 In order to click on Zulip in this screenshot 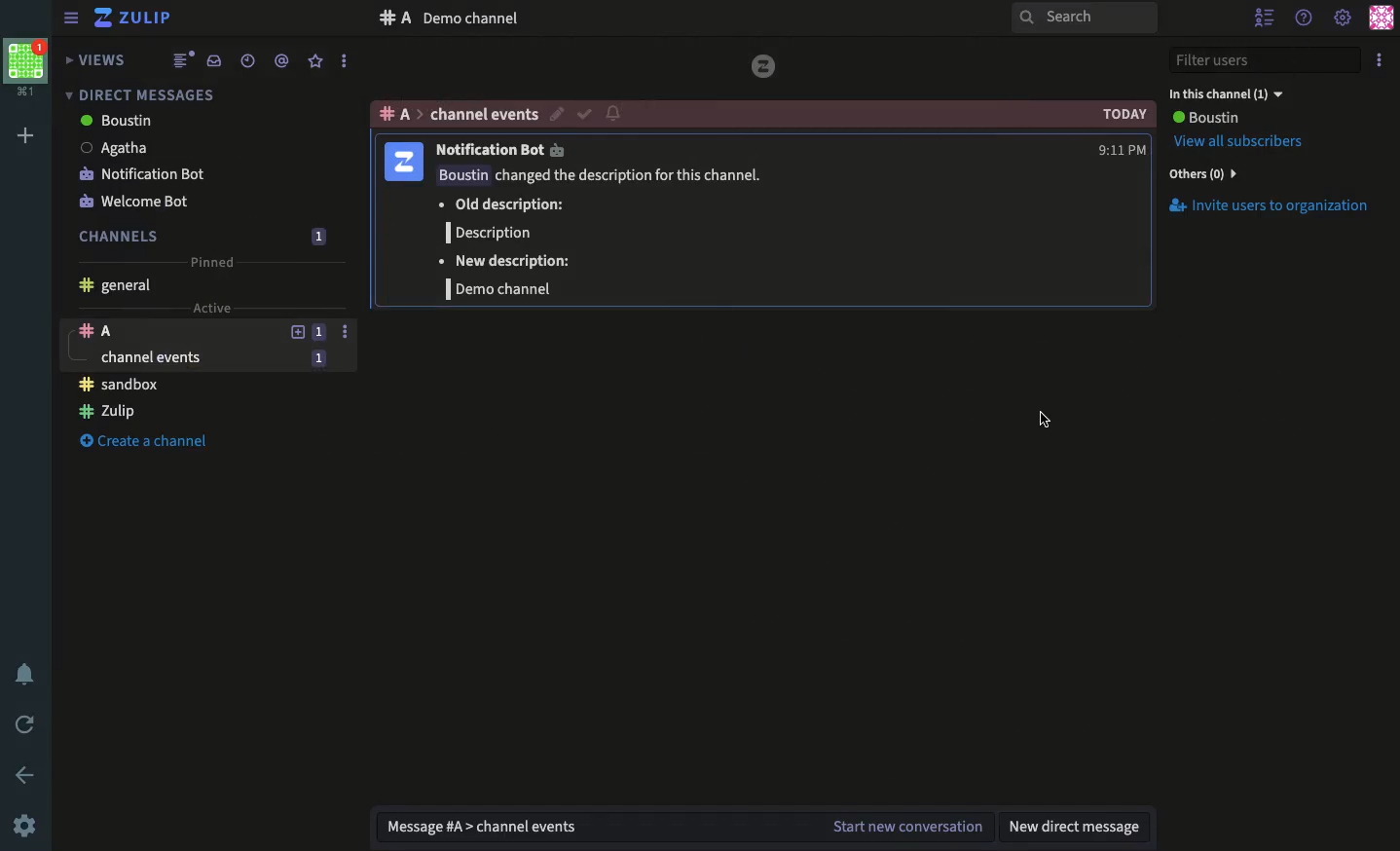, I will do `click(136, 19)`.